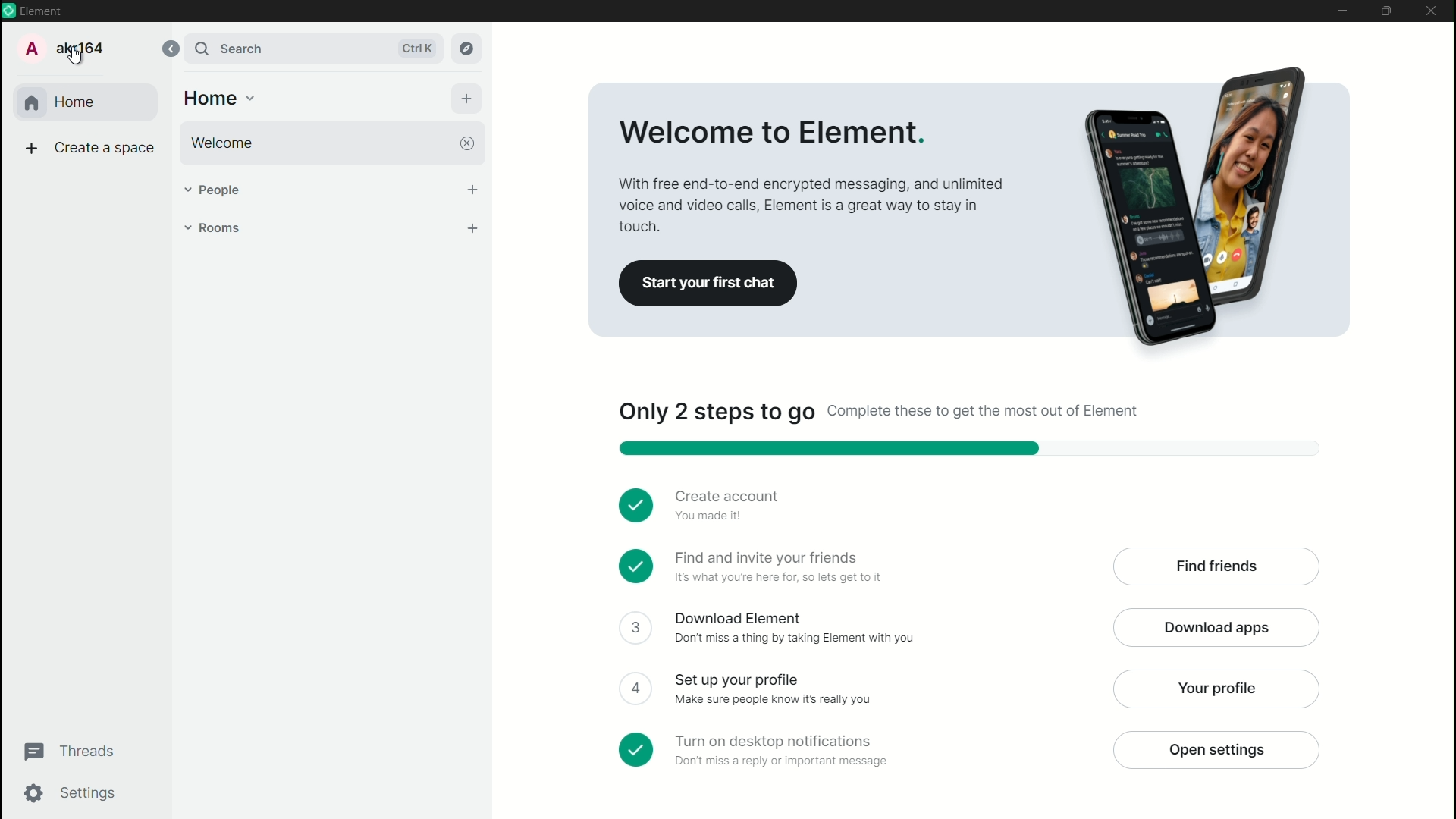 This screenshot has height=819, width=1456. I want to click on rooms, so click(317, 228).